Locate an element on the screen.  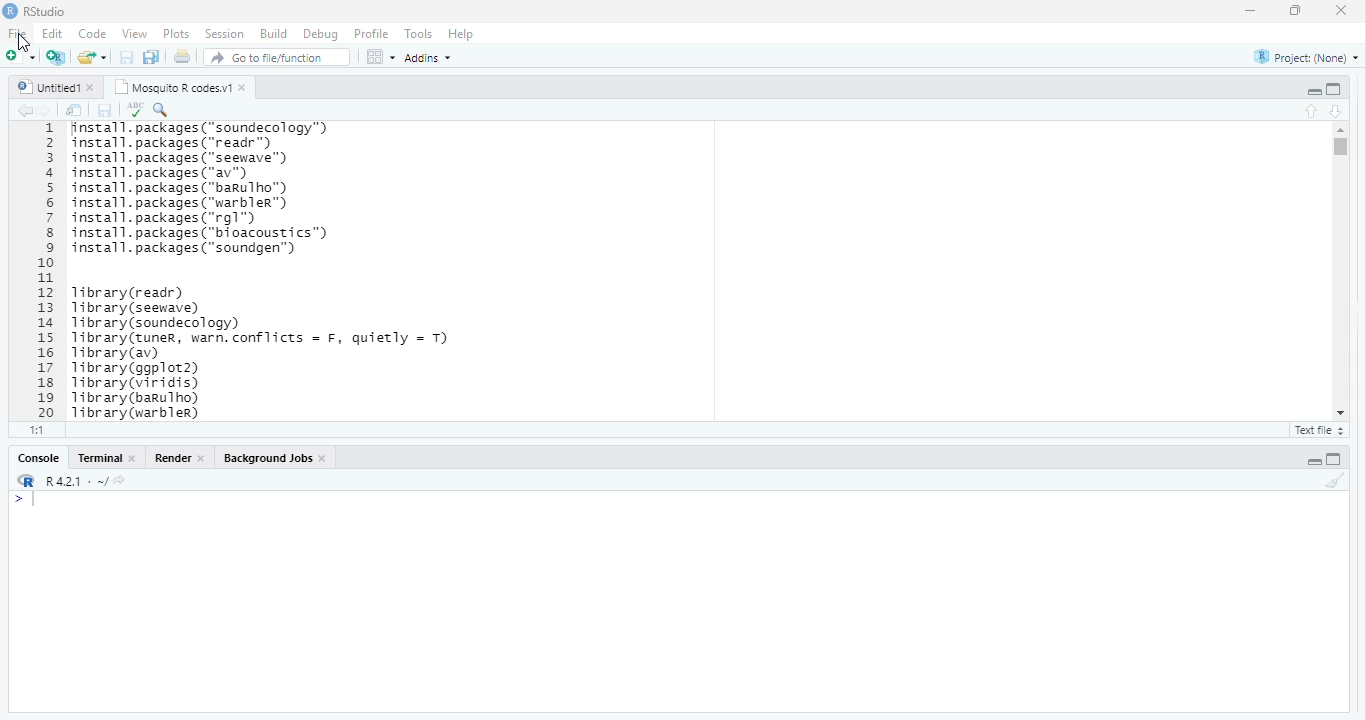
backward is located at coordinates (26, 111).